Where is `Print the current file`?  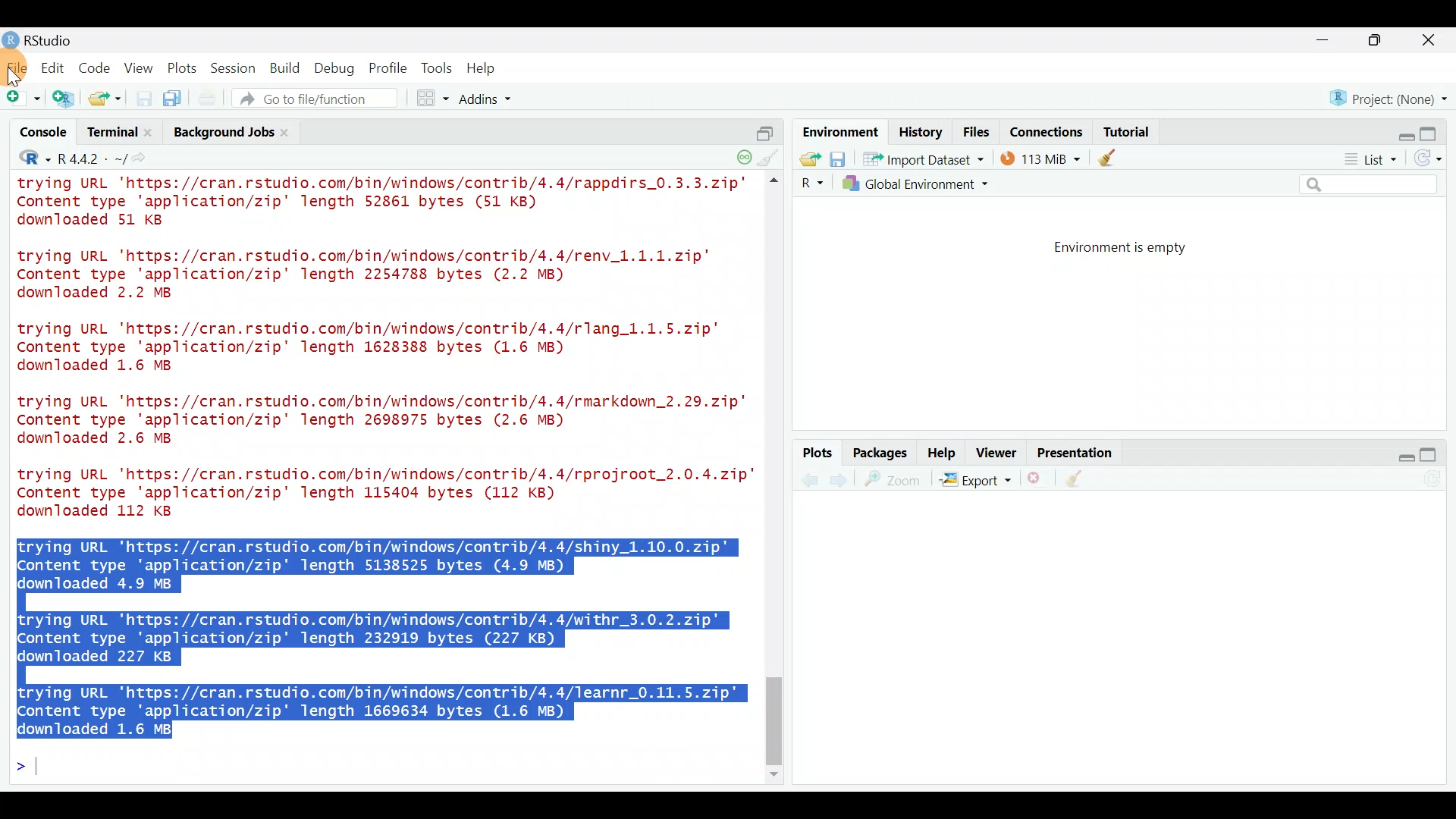 Print the current file is located at coordinates (209, 99).